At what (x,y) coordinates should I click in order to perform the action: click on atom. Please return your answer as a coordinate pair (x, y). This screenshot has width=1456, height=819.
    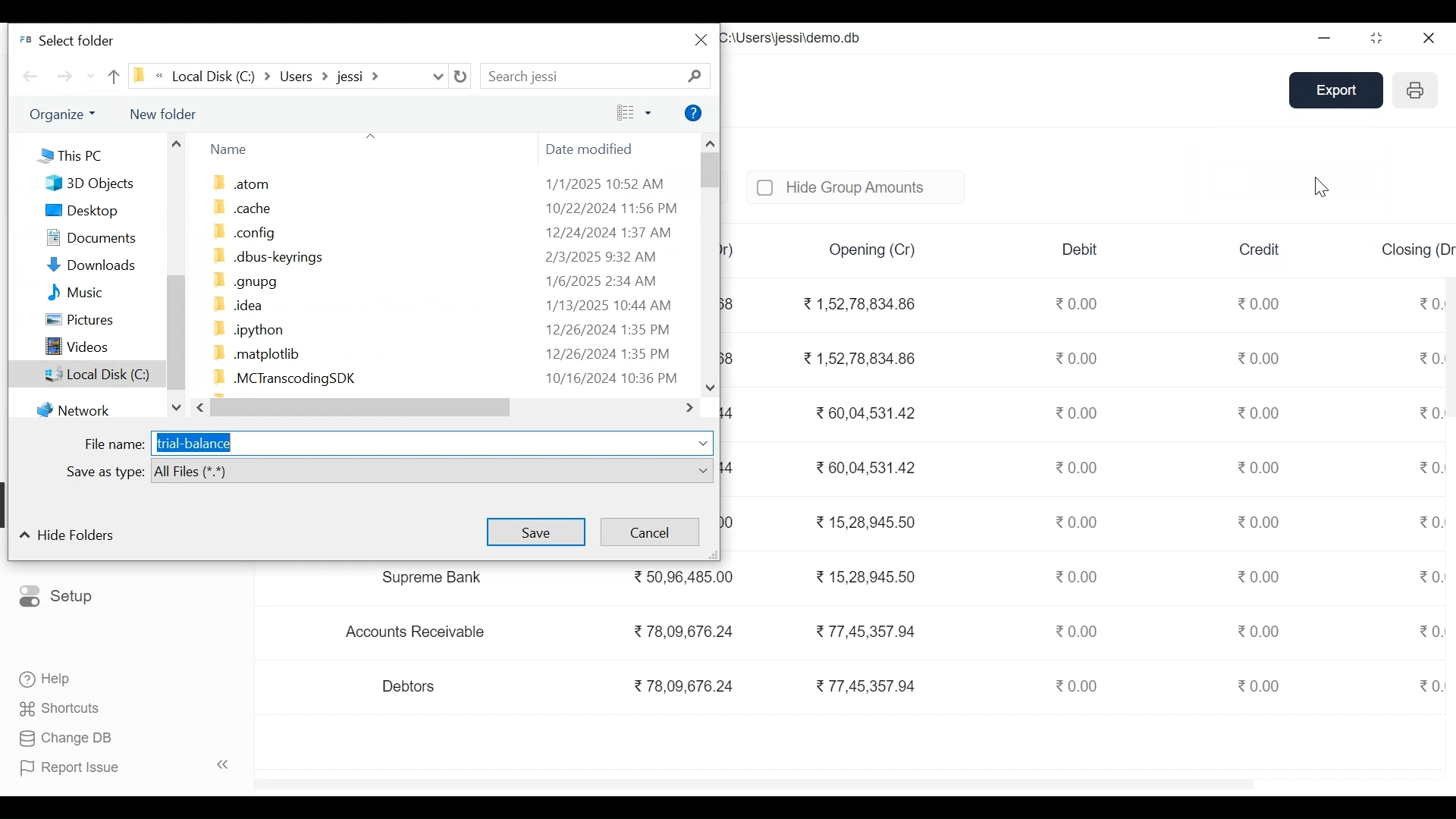
    Looking at the image, I should click on (243, 183).